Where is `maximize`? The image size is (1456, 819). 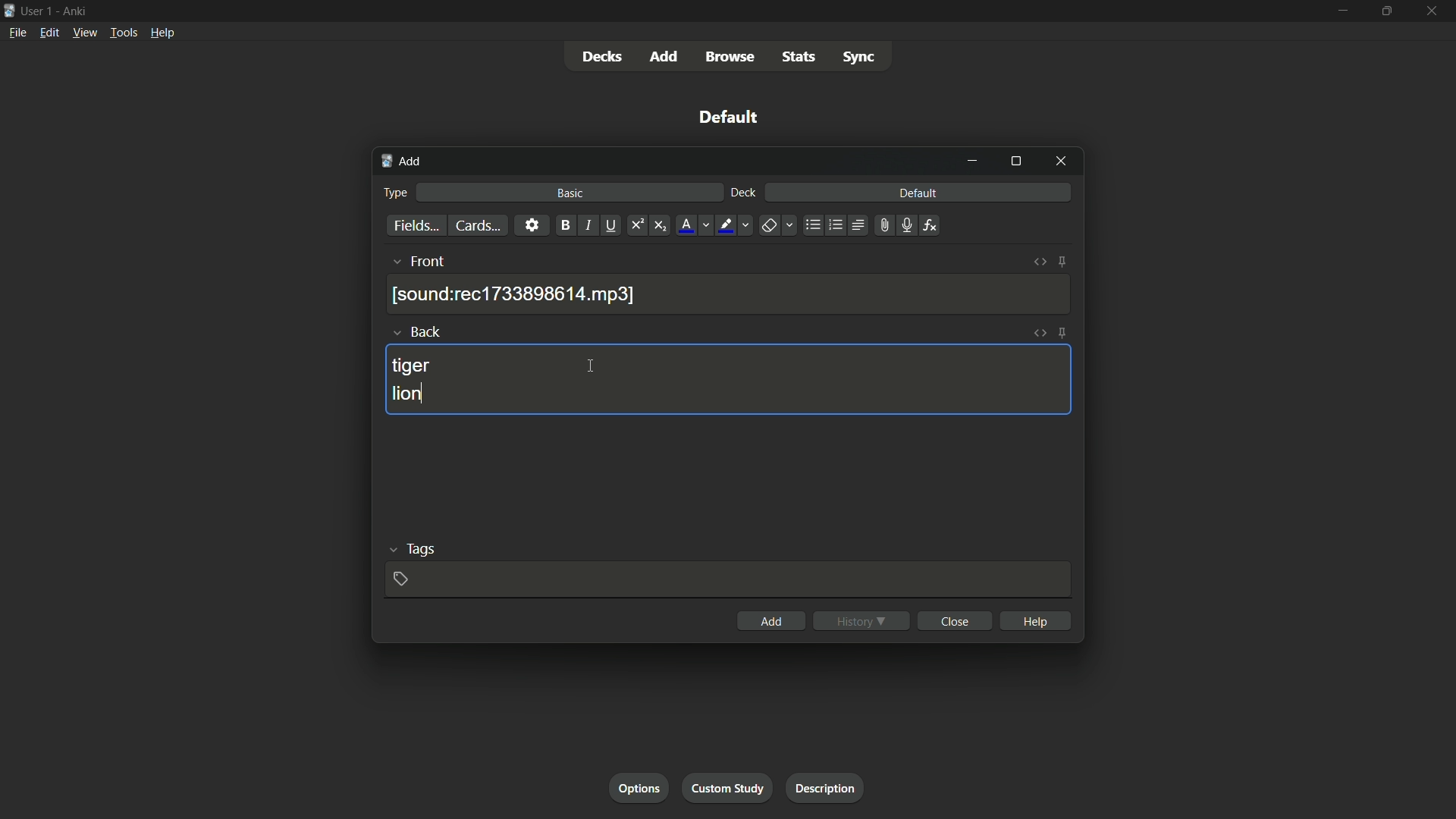 maximize is located at coordinates (1387, 11).